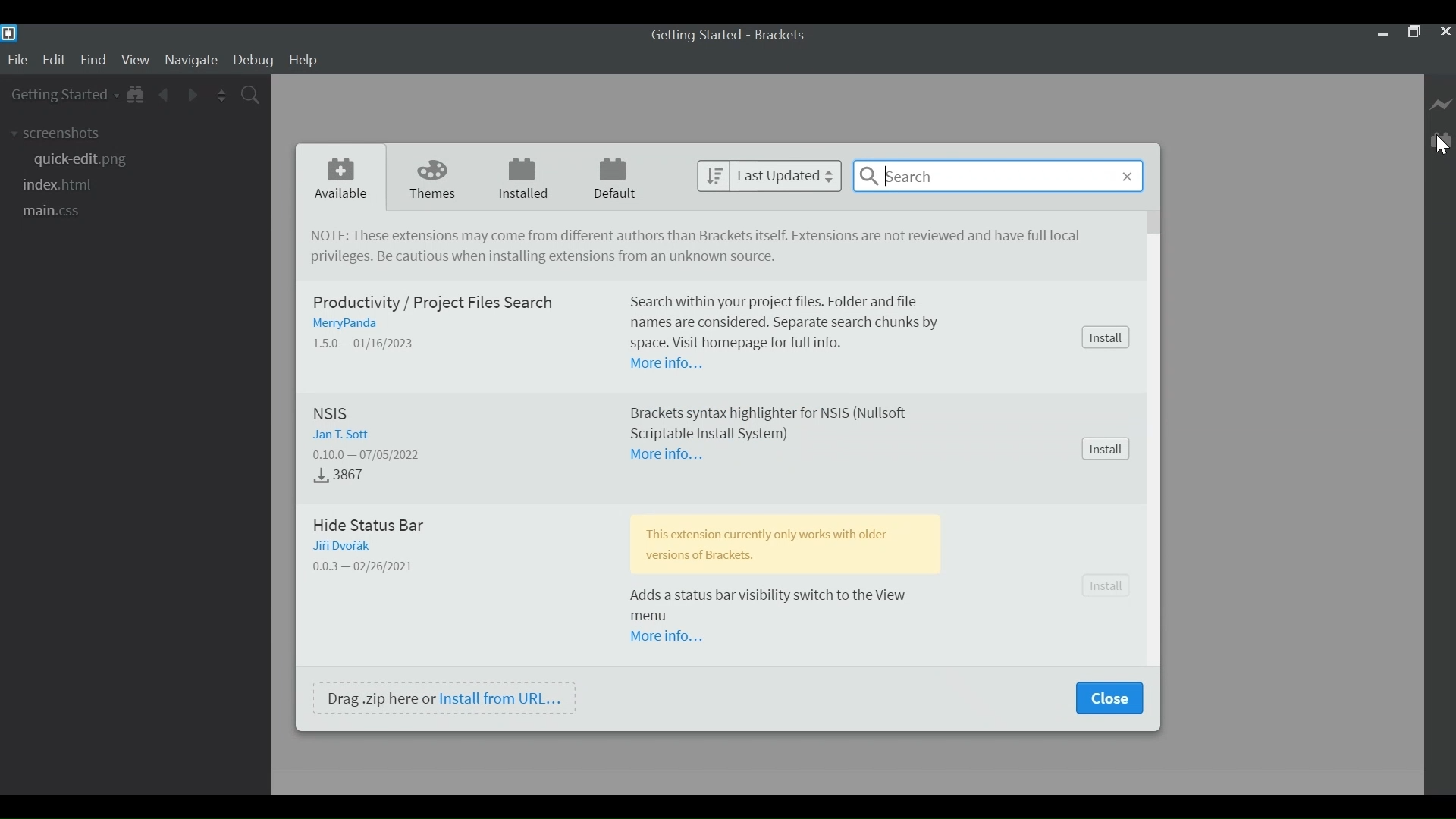 Image resolution: width=1456 pixels, height=819 pixels. What do you see at coordinates (93, 61) in the screenshot?
I see `Find` at bounding box center [93, 61].